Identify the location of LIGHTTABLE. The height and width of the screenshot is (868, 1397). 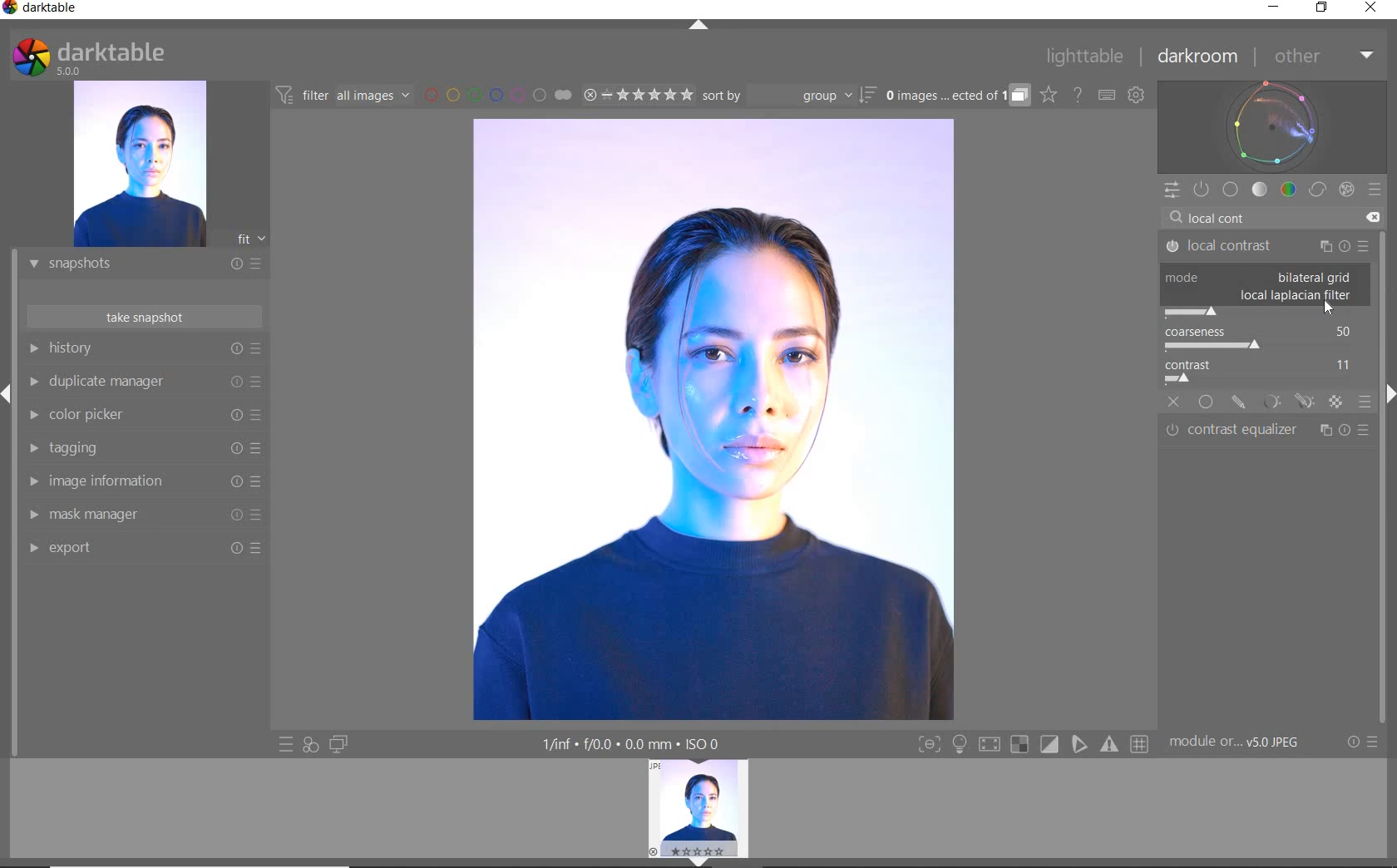
(1085, 59).